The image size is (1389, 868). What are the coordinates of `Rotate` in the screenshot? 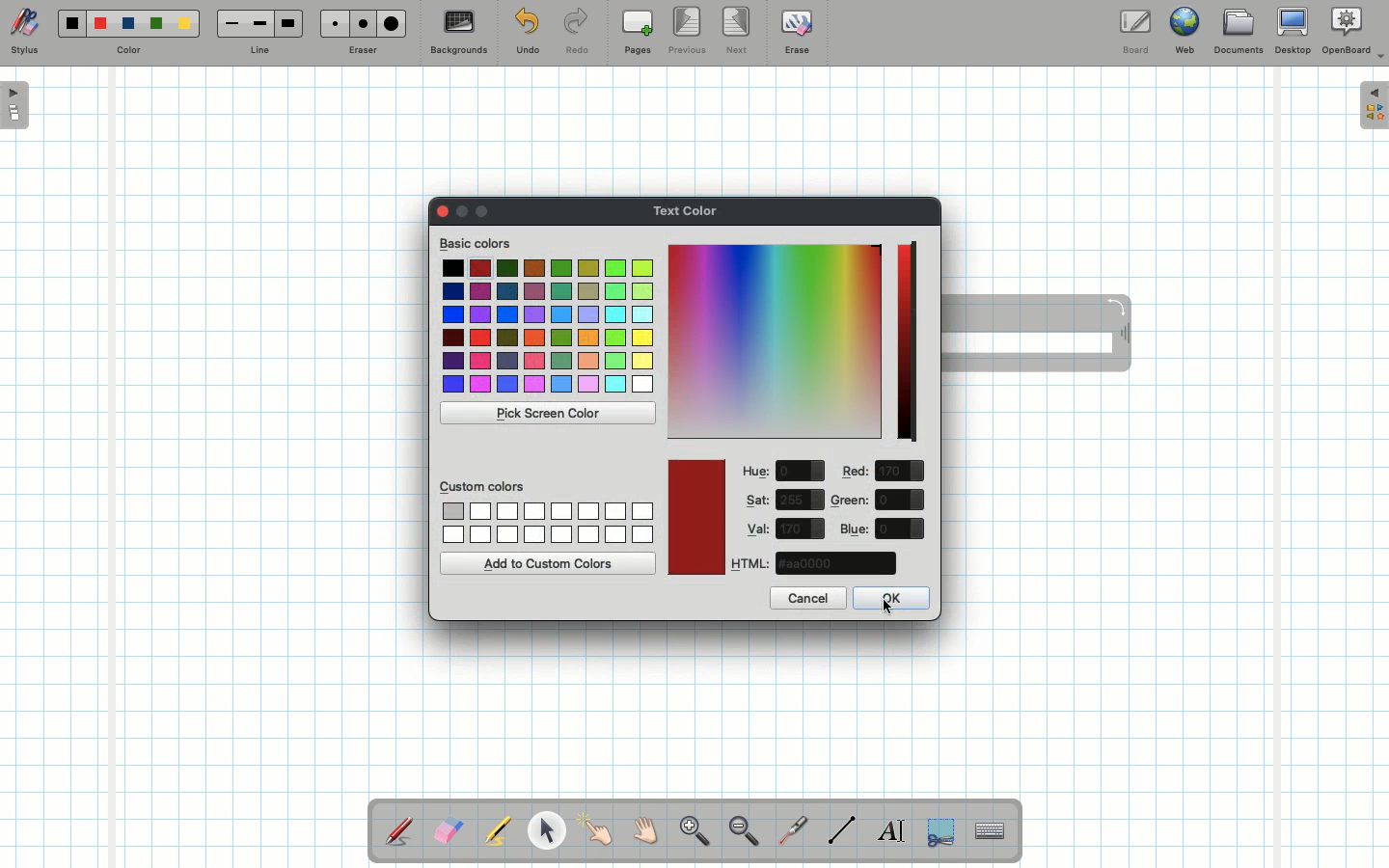 It's located at (1116, 306).